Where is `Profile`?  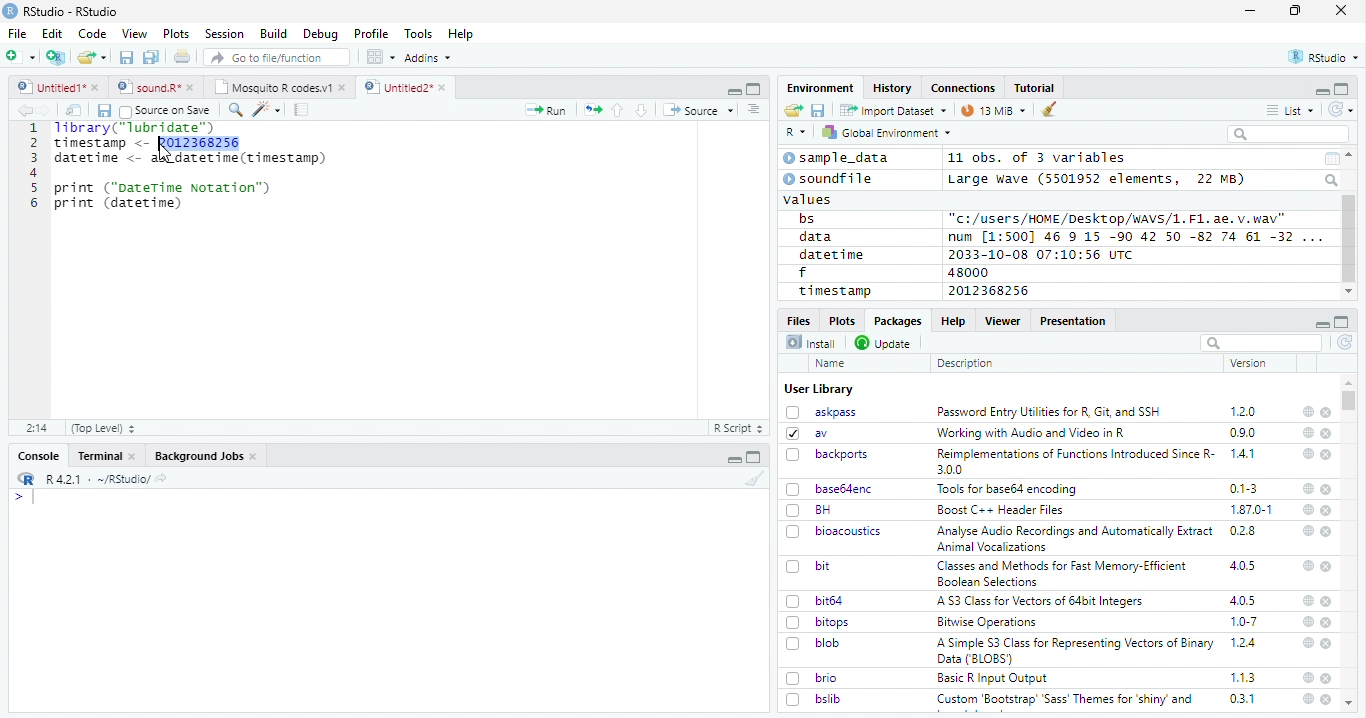
Profile is located at coordinates (371, 34).